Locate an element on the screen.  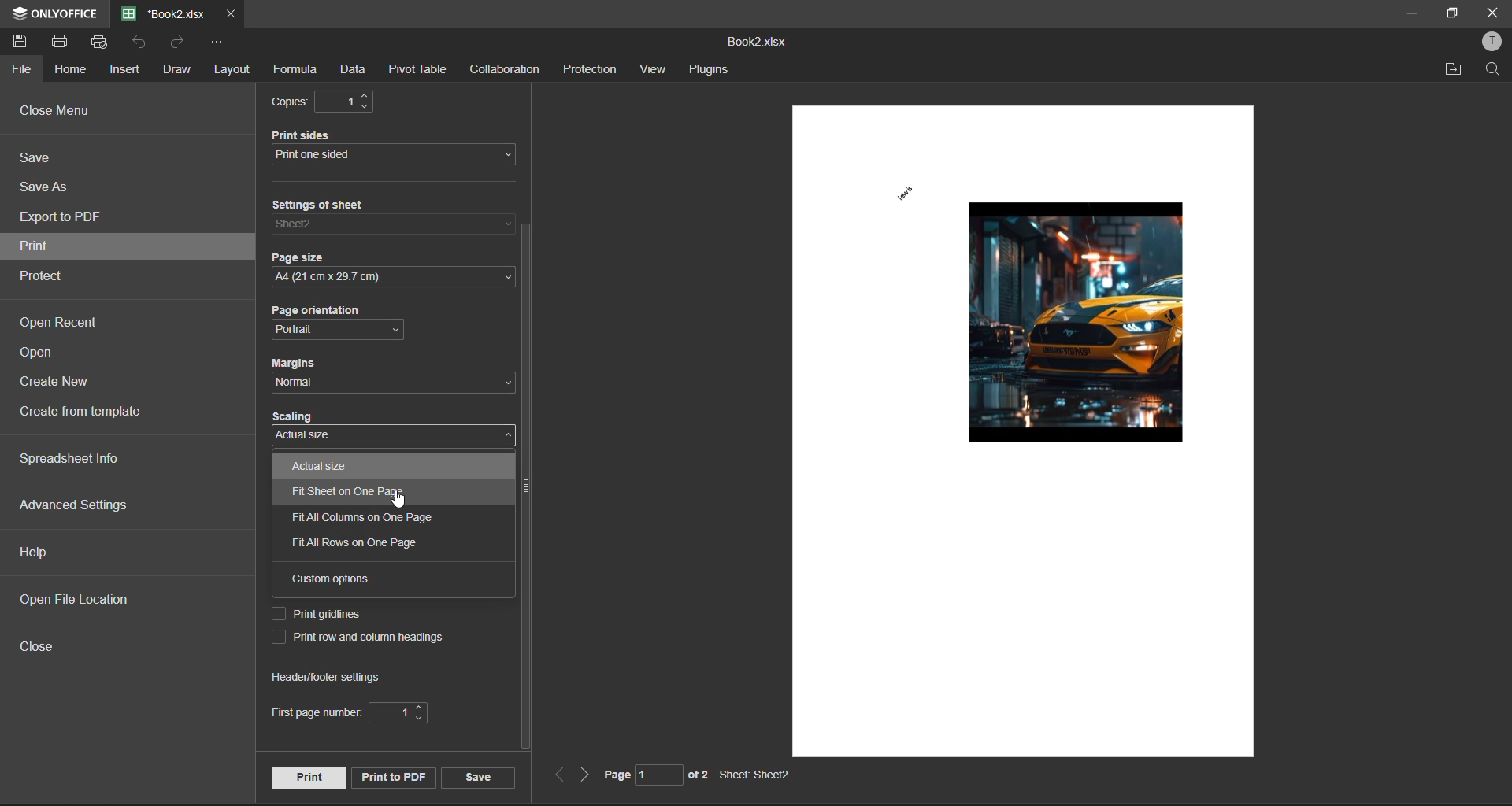
data is located at coordinates (358, 68).